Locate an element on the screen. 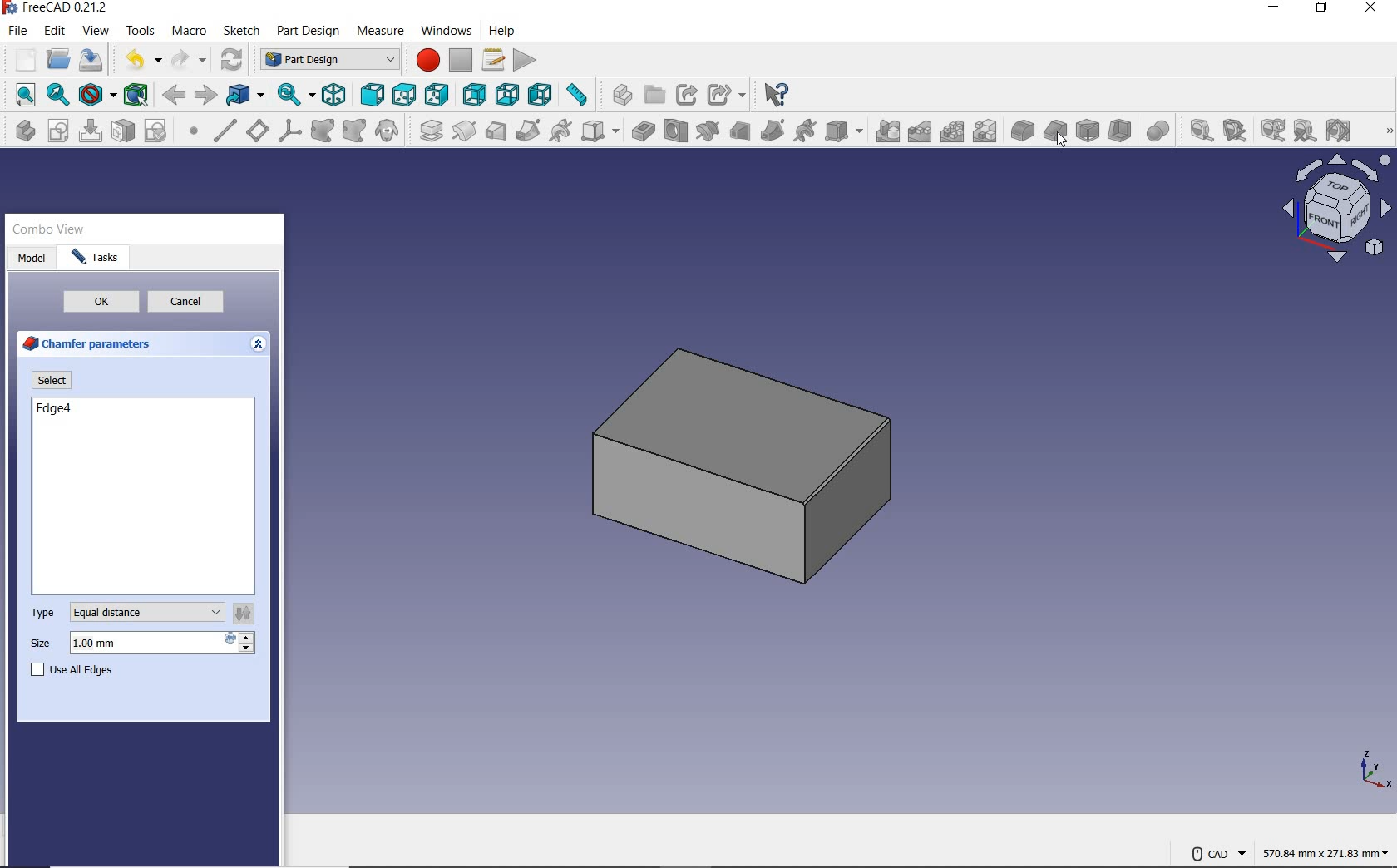 Image resolution: width=1397 pixels, height=868 pixels. additive helix is located at coordinates (561, 131).